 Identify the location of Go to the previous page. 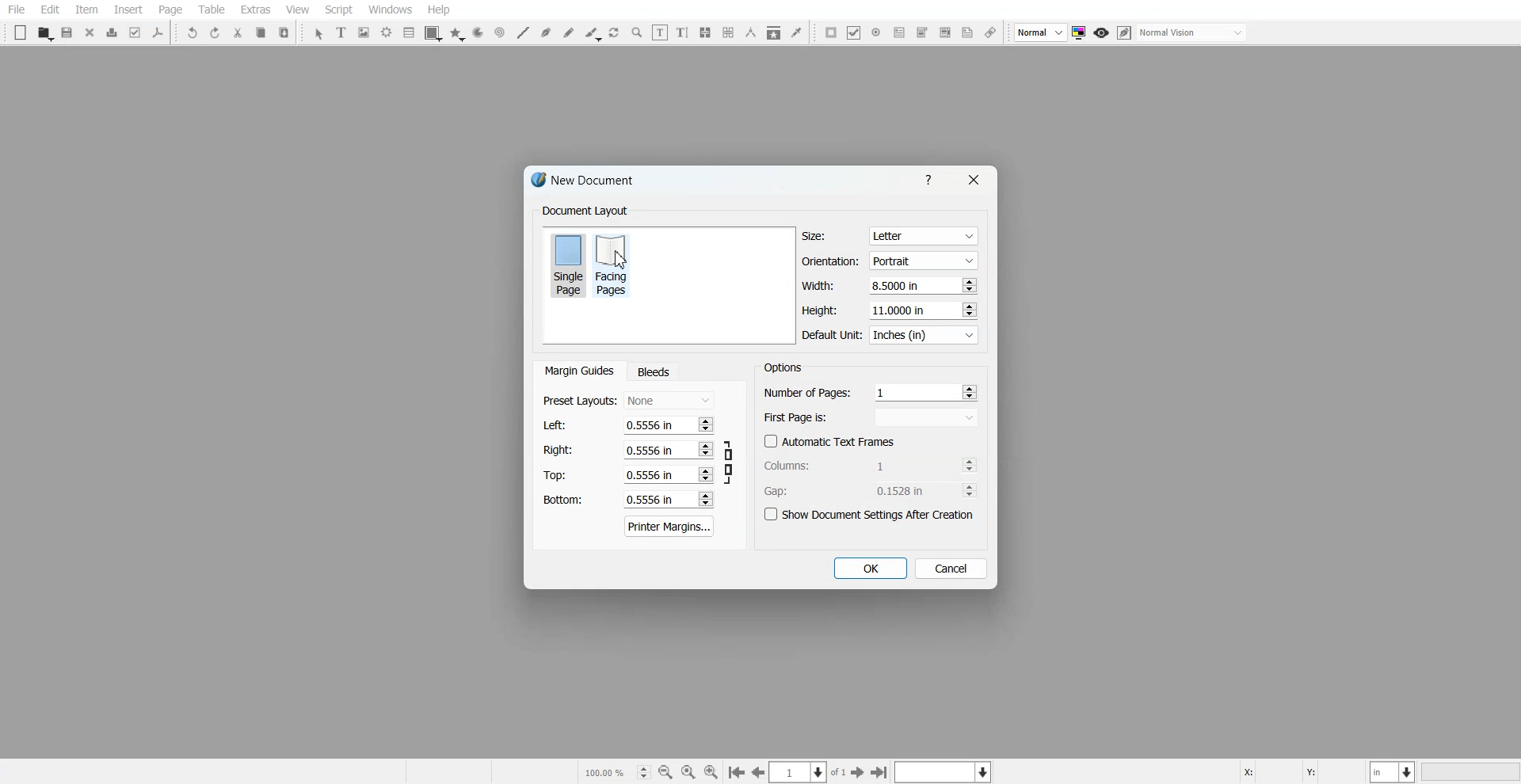
(758, 772).